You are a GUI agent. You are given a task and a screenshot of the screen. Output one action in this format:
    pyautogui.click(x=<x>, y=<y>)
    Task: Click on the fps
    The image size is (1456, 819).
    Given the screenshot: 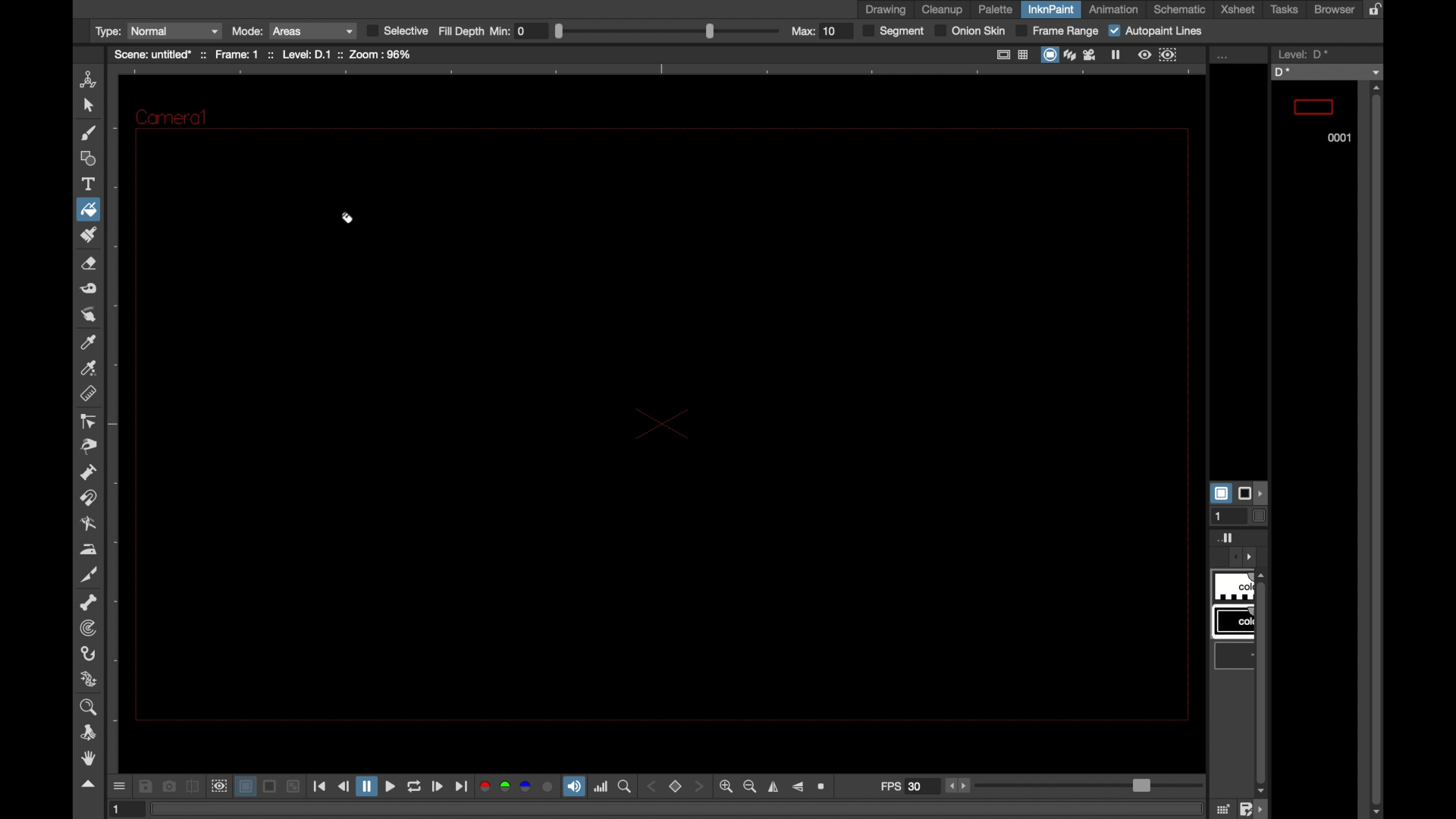 What is the action you would take?
    pyautogui.click(x=908, y=785)
    